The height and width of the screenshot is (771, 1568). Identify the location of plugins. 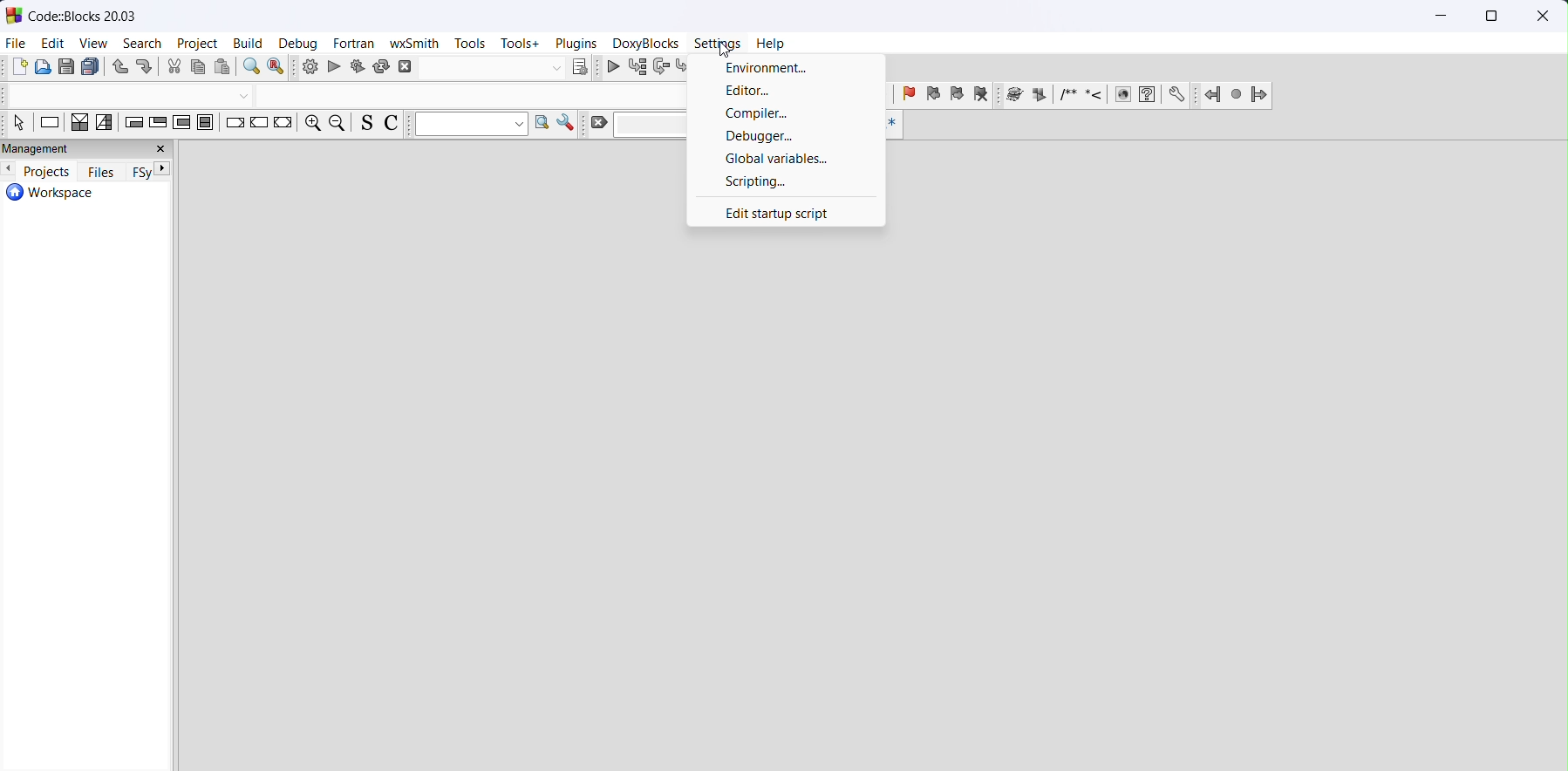
(576, 44).